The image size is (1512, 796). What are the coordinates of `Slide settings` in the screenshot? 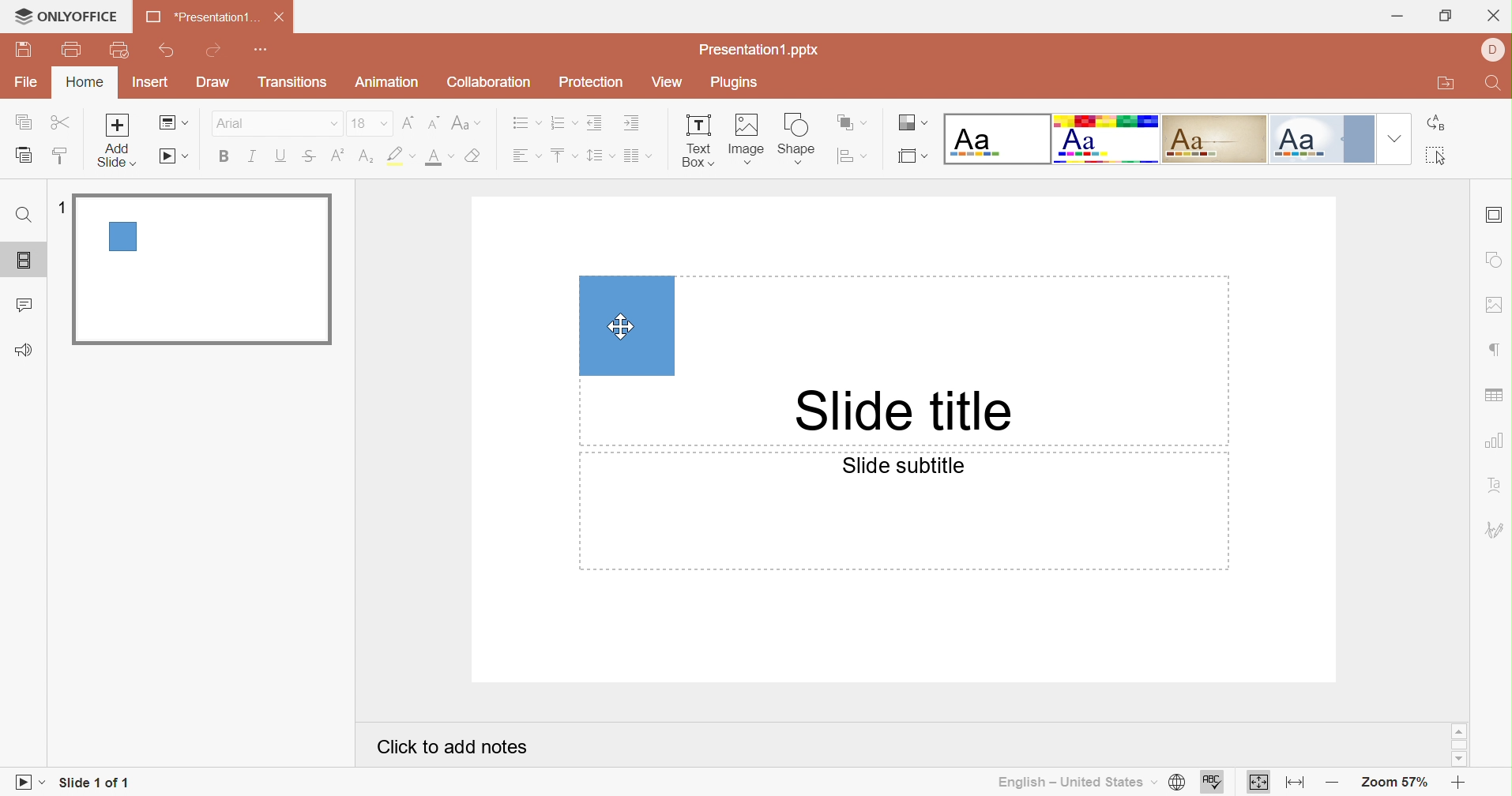 It's located at (1495, 212).